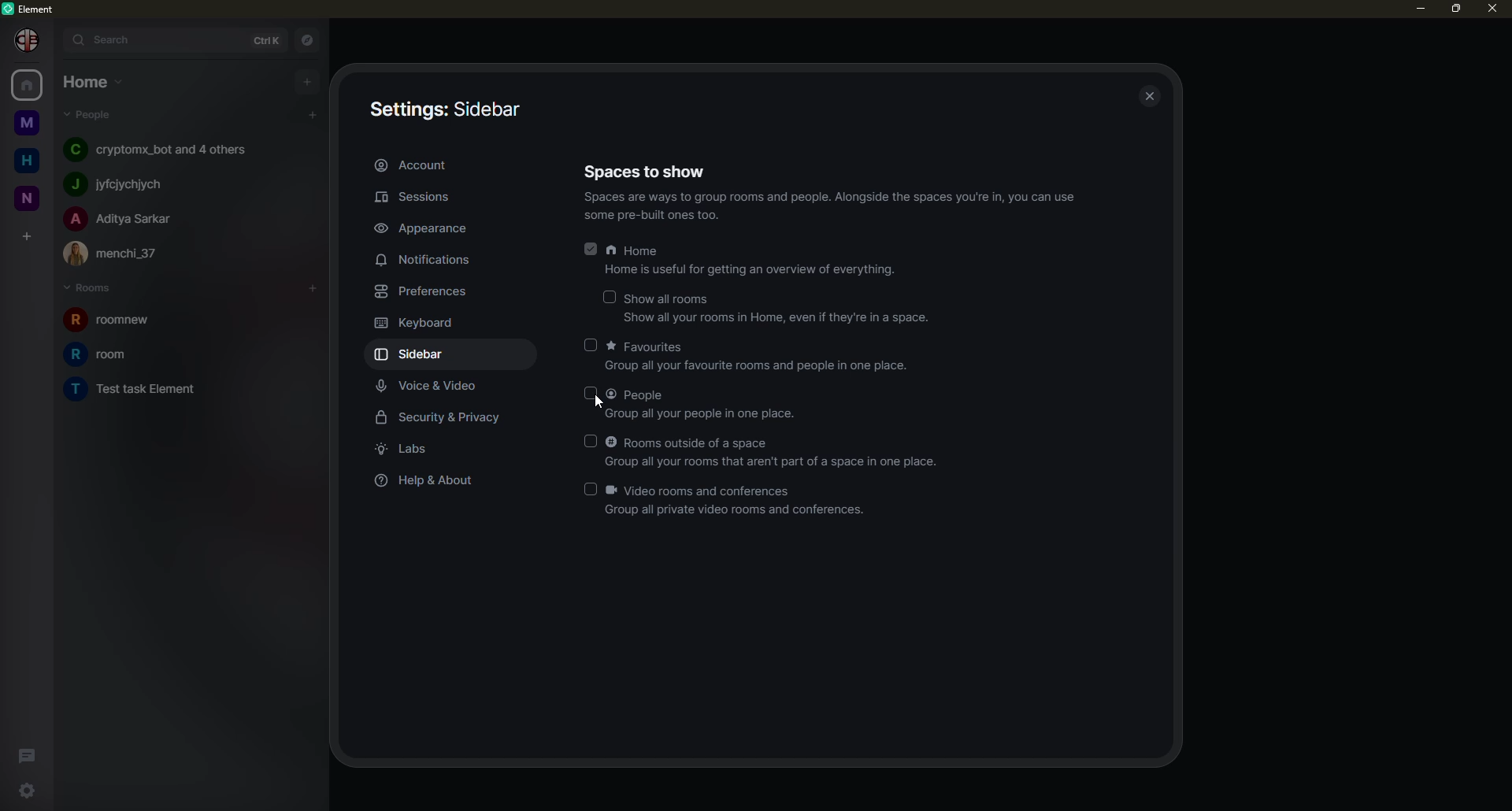 The image size is (1512, 811). What do you see at coordinates (428, 481) in the screenshot?
I see `help & about` at bounding box center [428, 481].